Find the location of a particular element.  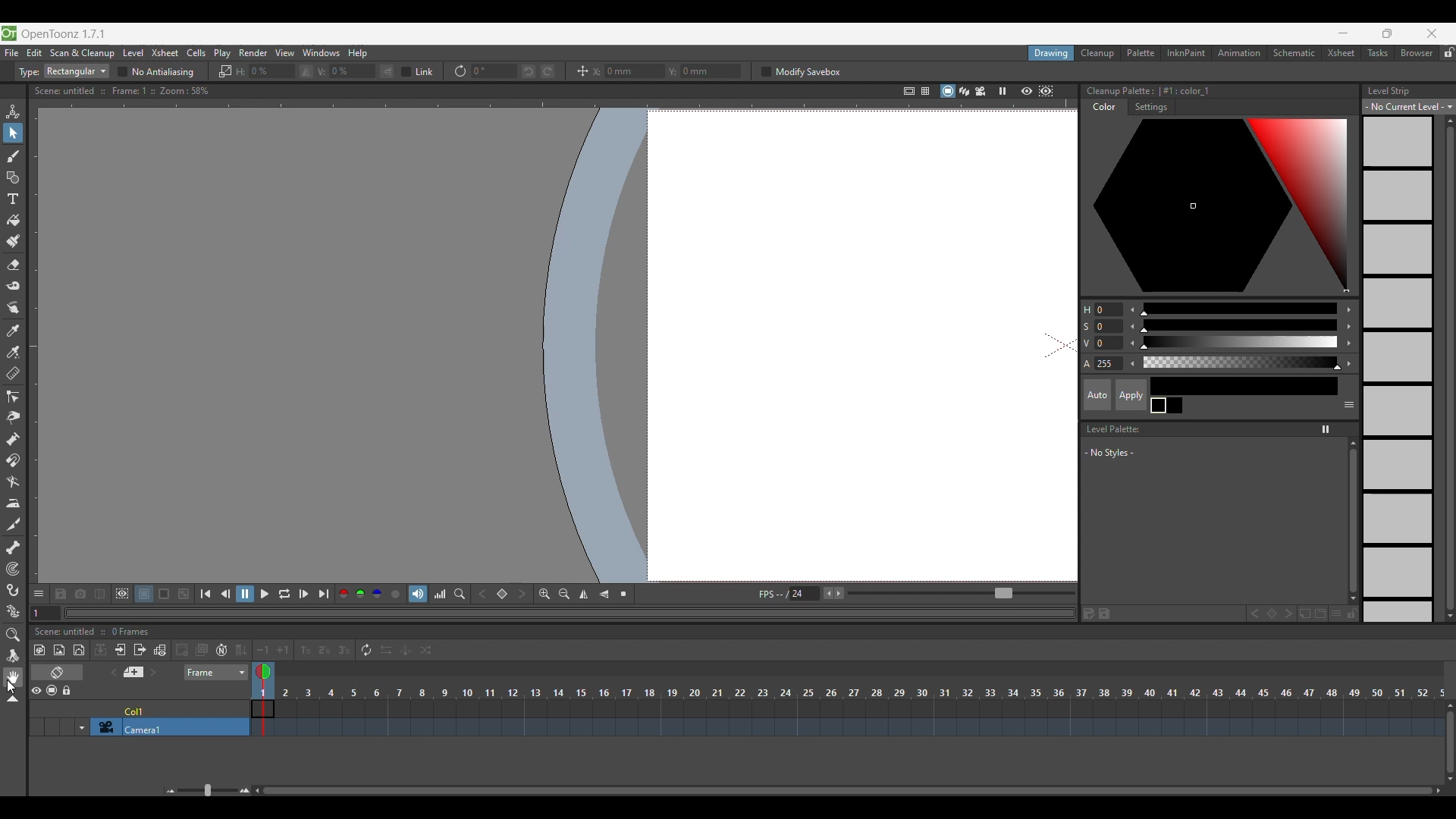

Zoom in is located at coordinates (544, 595).